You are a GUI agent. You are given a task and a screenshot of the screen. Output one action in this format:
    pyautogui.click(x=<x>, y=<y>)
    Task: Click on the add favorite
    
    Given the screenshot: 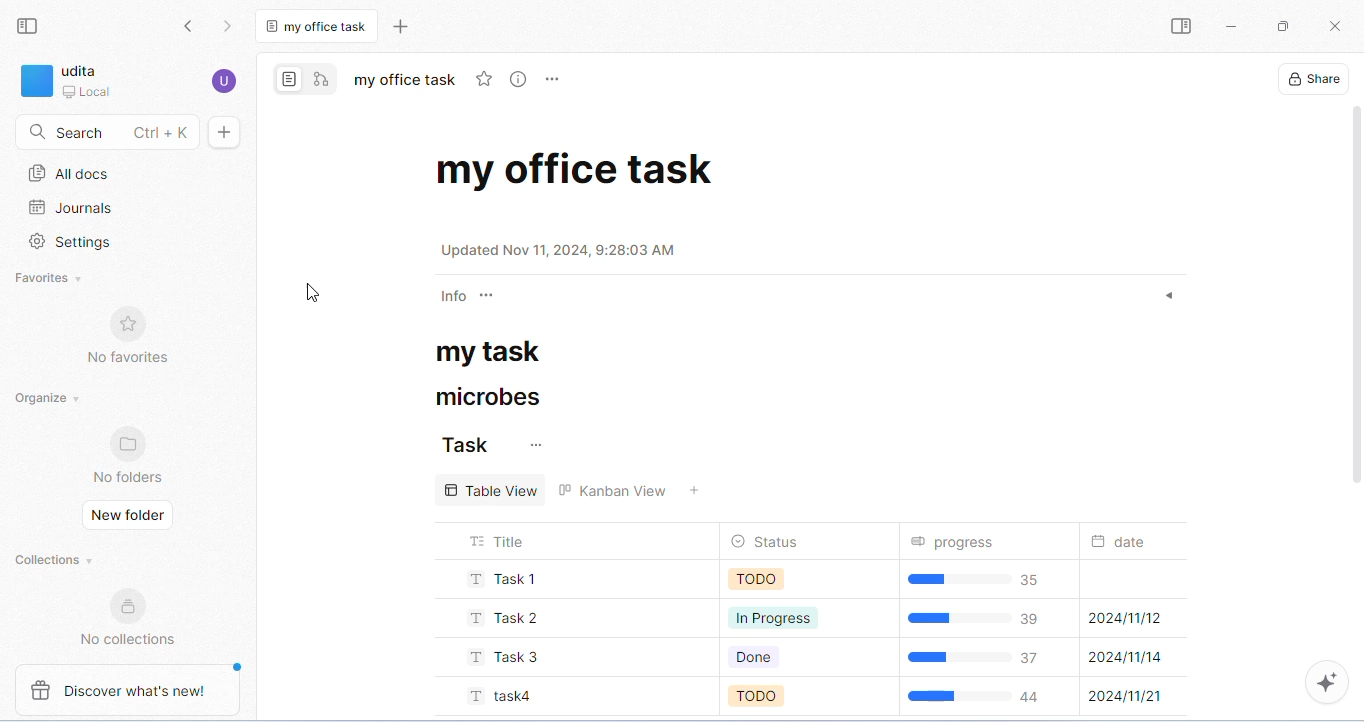 What is the action you would take?
    pyautogui.click(x=487, y=79)
    